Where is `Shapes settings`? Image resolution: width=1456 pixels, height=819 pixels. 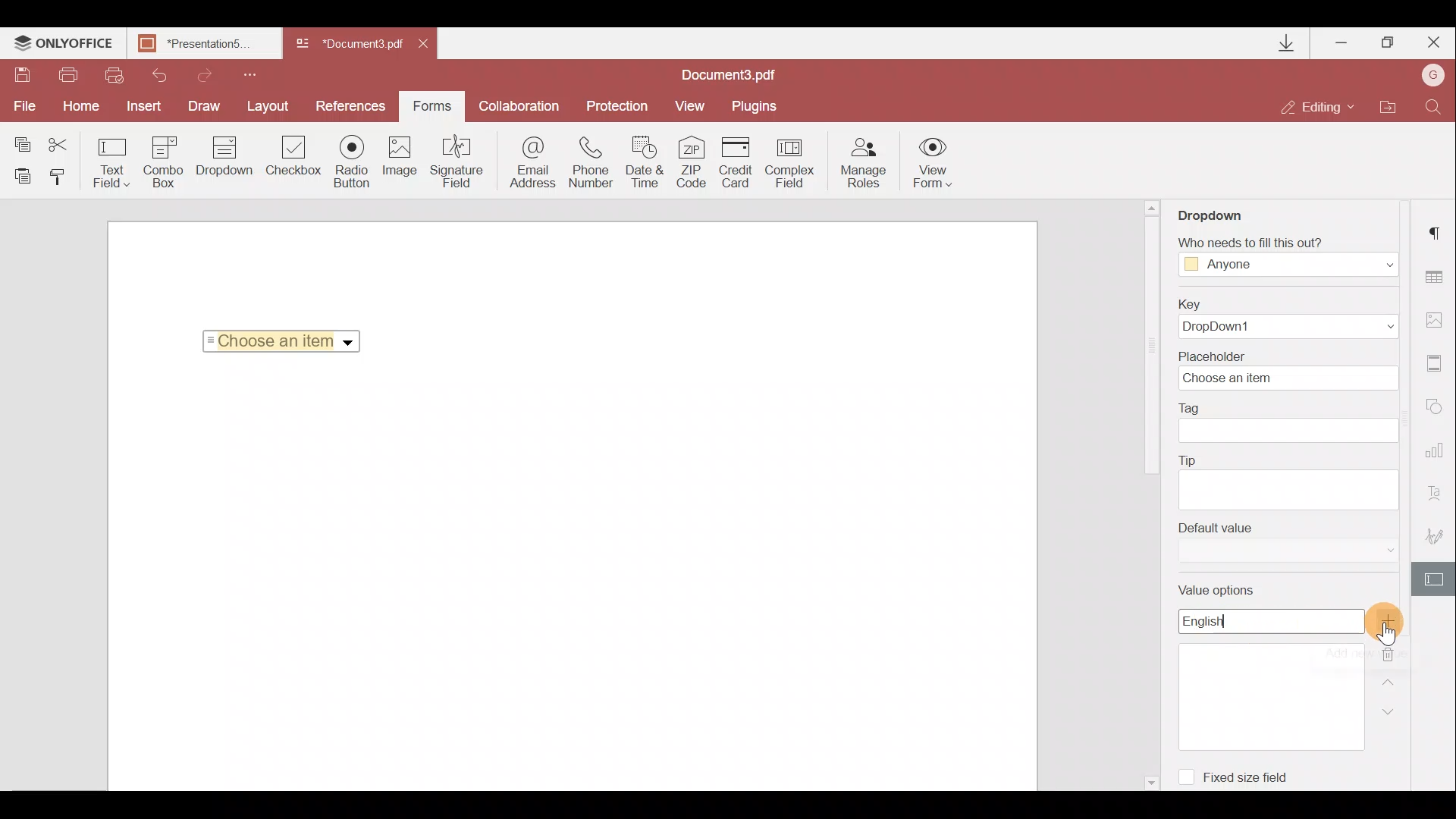
Shapes settings is located at coordinates (1437, 409).